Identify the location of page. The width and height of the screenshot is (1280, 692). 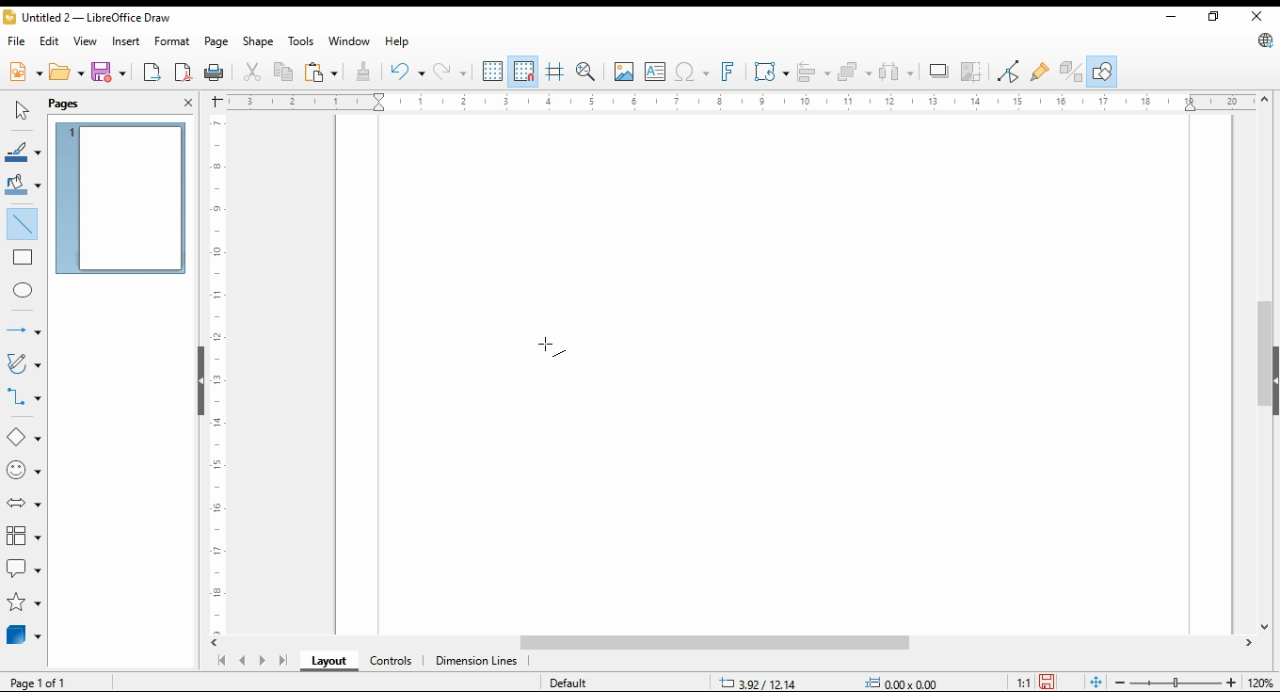
(219, 41).